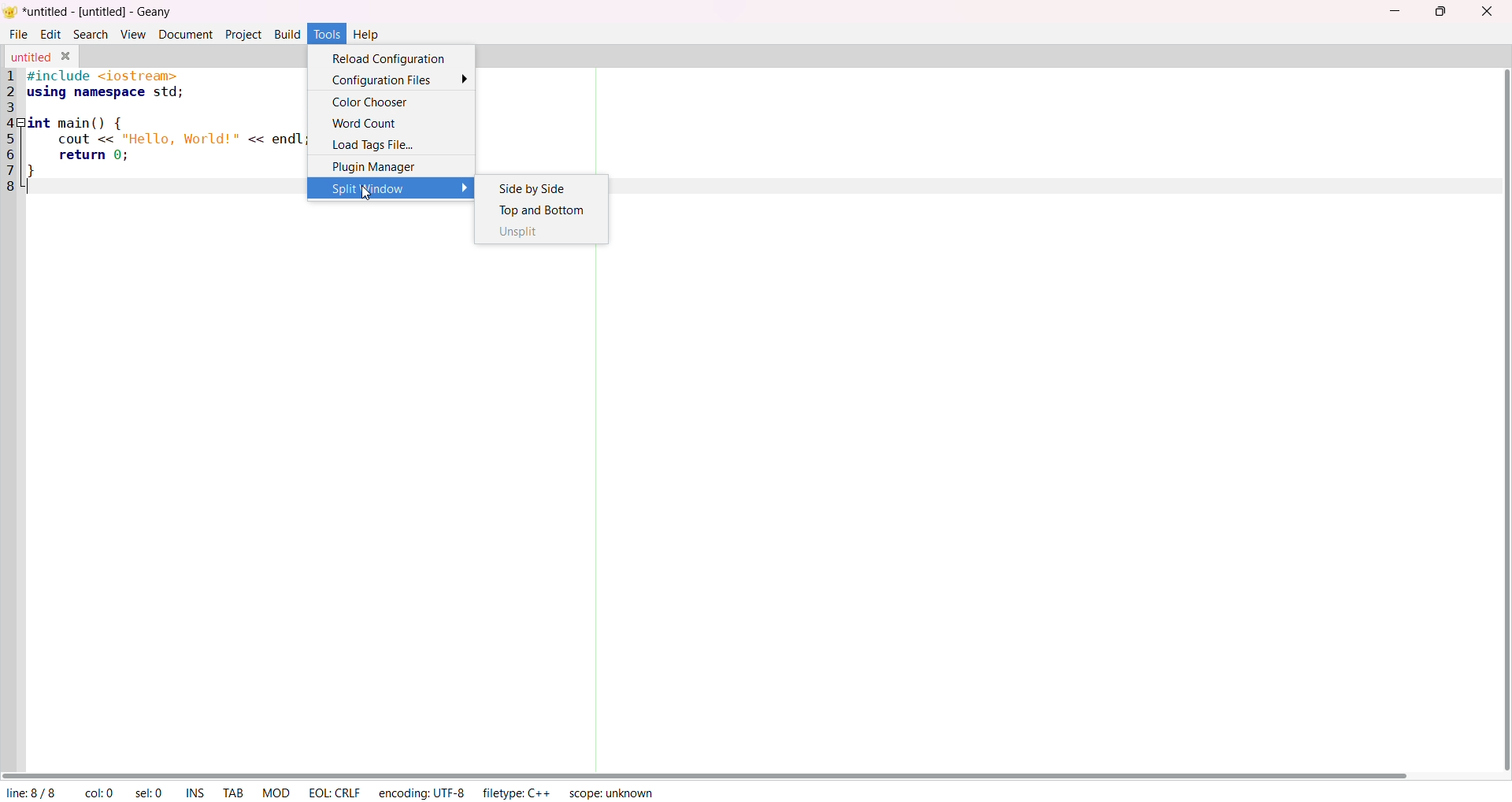  Describe the element at coordinates (369, 192) in the screenshot. I see `cursor` at that location.